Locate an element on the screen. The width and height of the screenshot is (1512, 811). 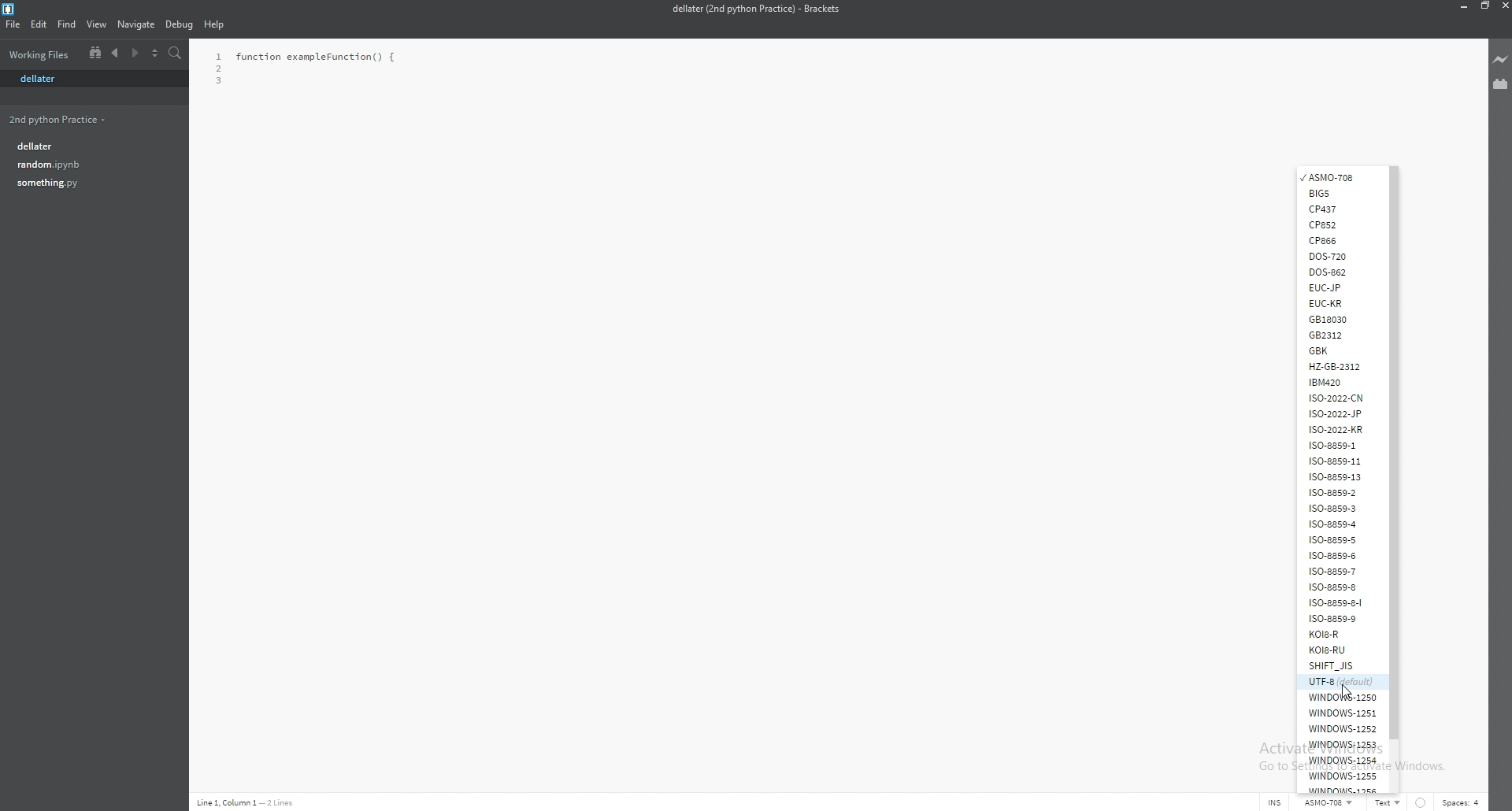
iso-2022-jp is located at coordinates (1340, 413).